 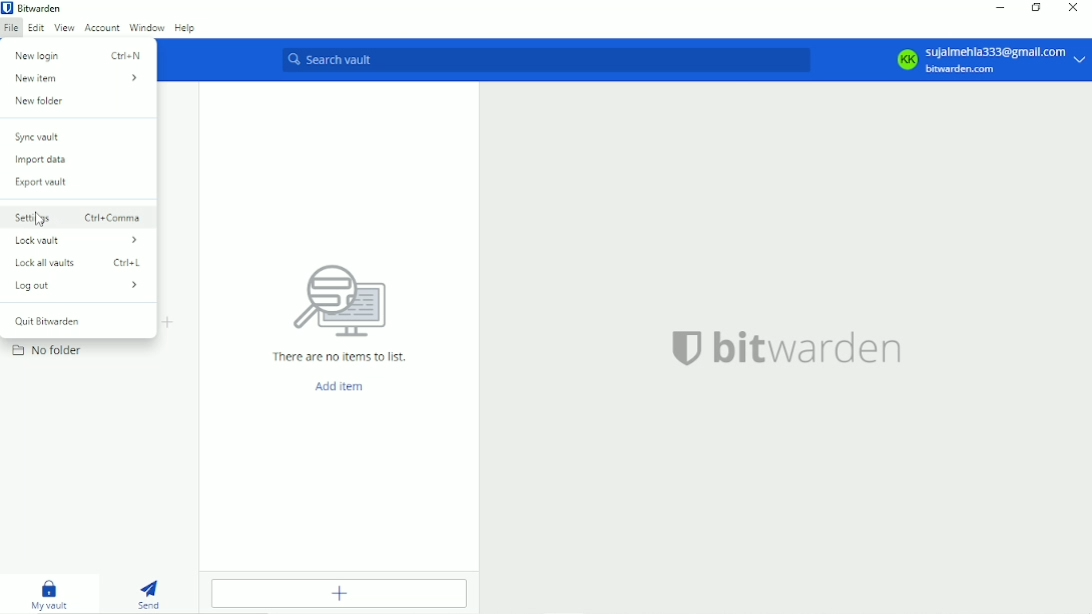 What do you see at coordinates (40, 160) in the screenshot?
I see `Import data` at bounding box center [40, 160].